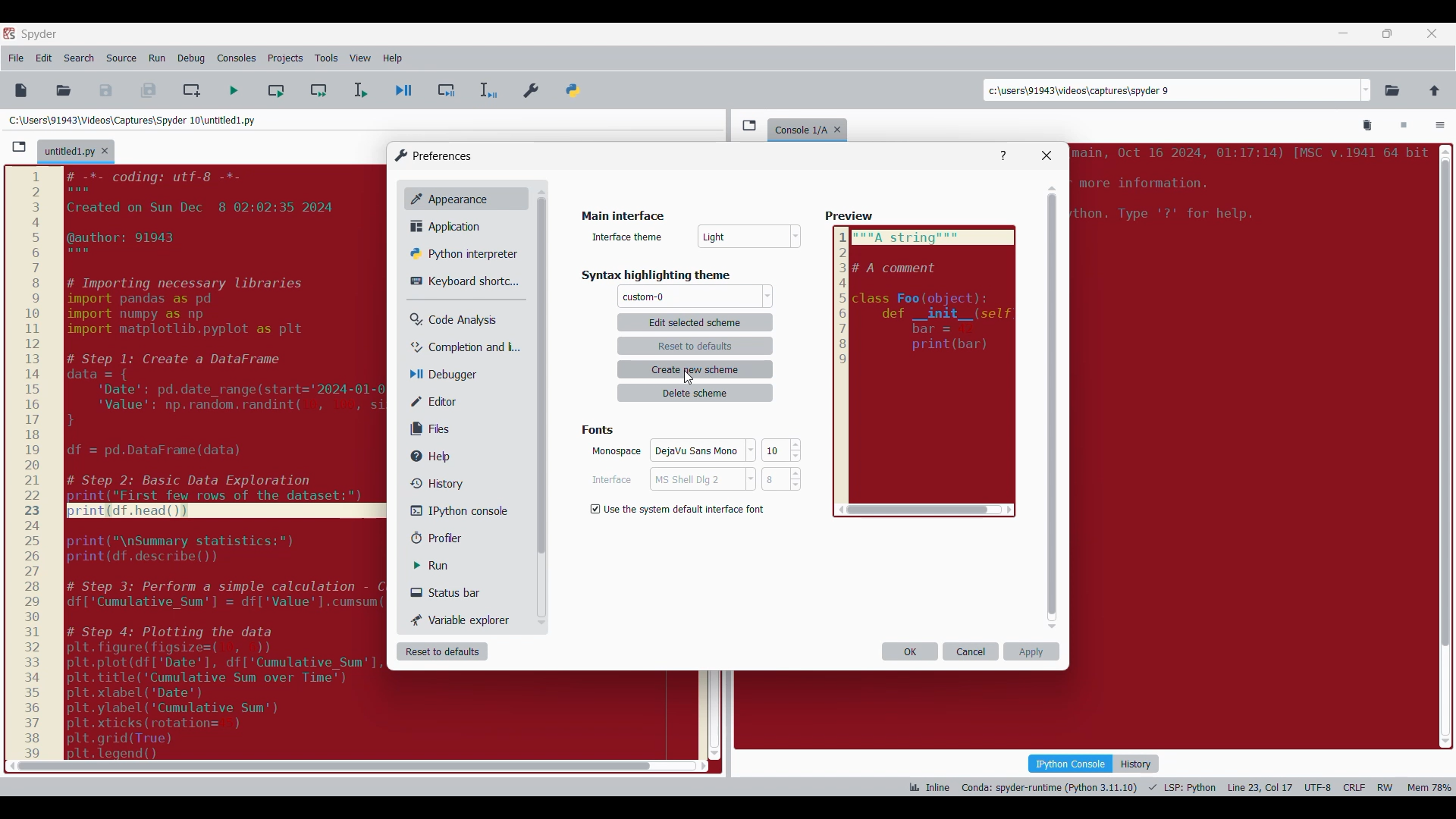 The width and height of the screenshot is (1456, 819). What do you see at coordinates (541, 406) in the screenshot?
I see `Vertical slide bar` at bounding box center [541, 406].